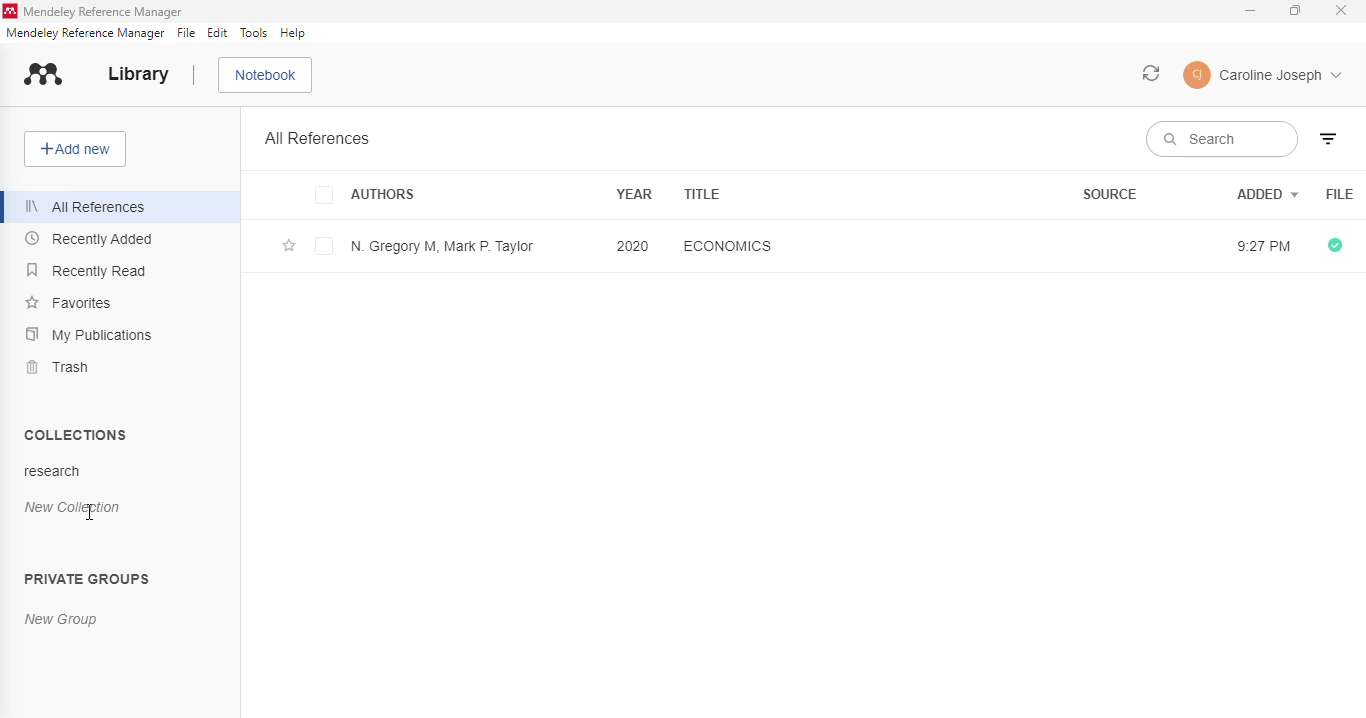 The image size is (1366, 718). I want to click on new collection, so click(71, 506).